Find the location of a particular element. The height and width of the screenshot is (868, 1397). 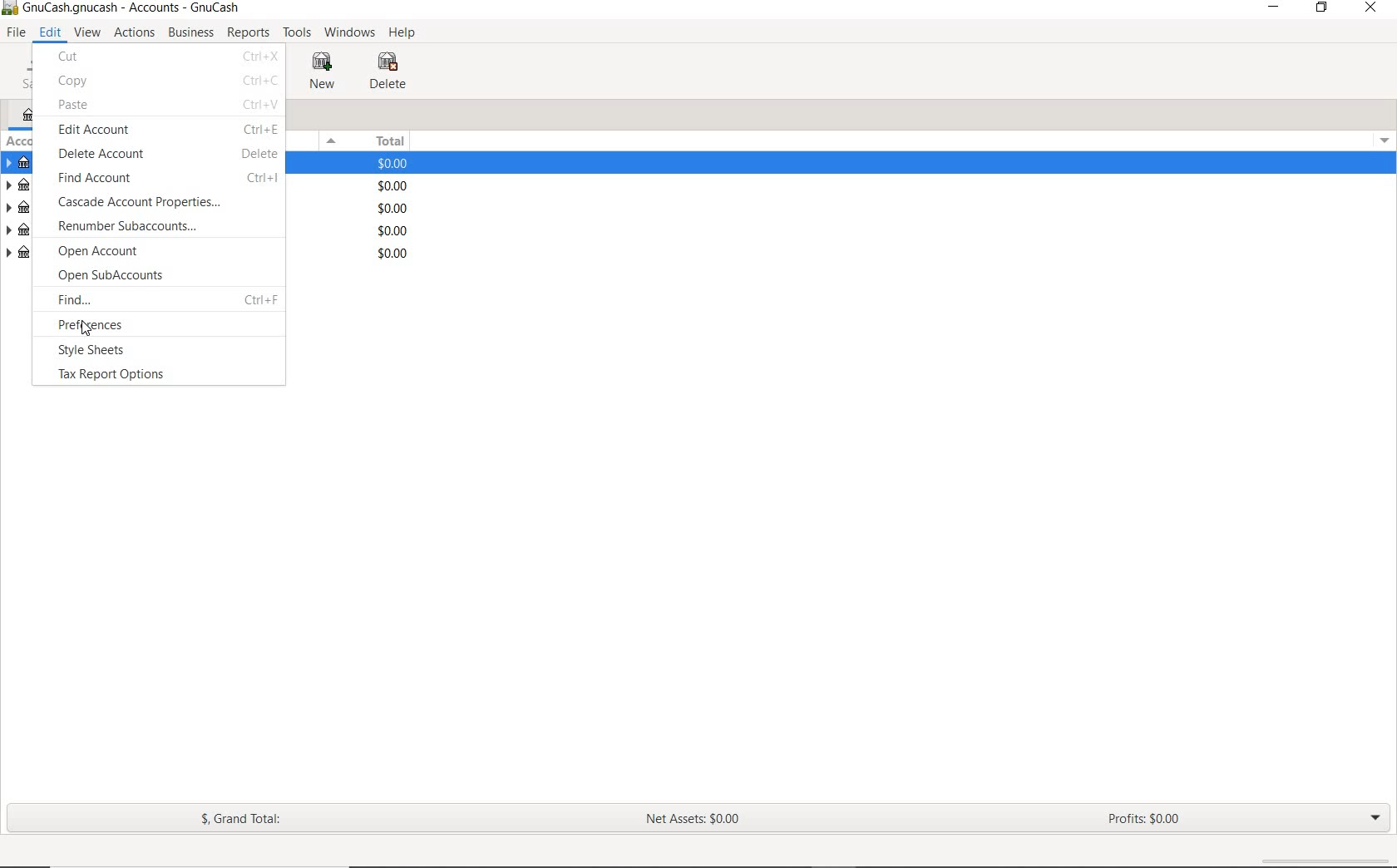

NET ASSETS is located at coordinates (693, 824).